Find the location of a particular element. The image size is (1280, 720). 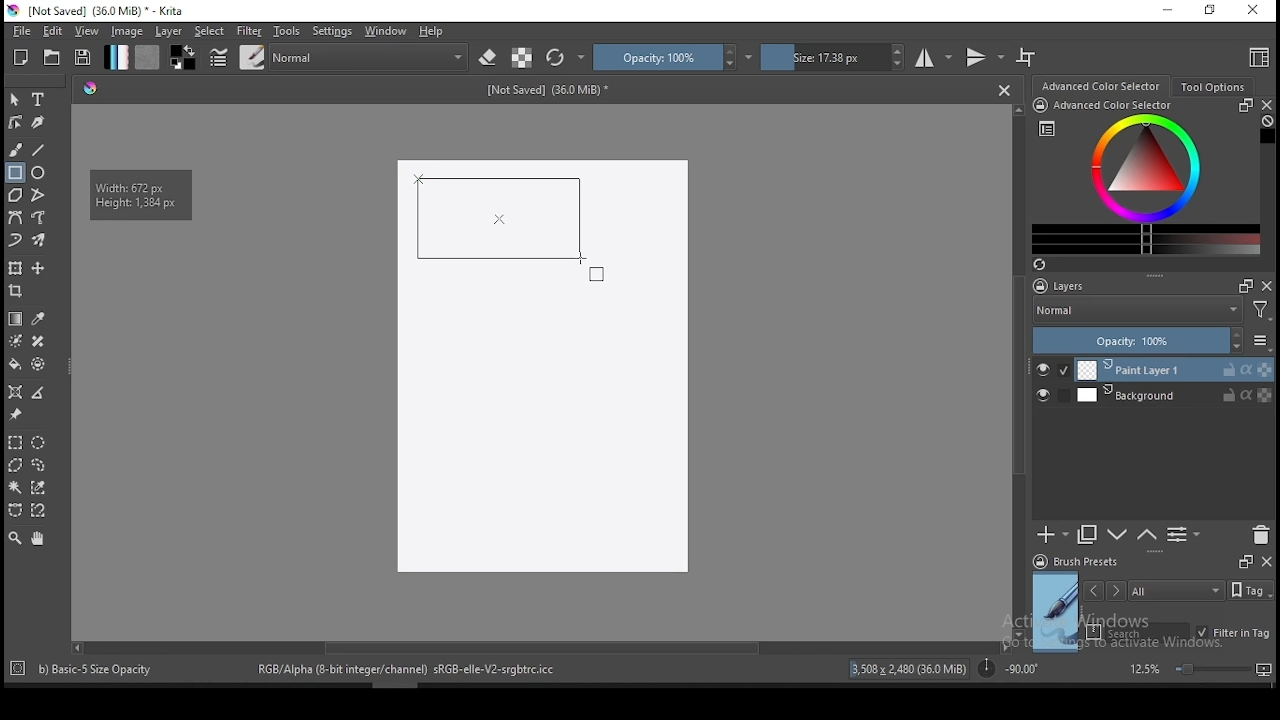

opacity is located at coordinates (1150, 342).